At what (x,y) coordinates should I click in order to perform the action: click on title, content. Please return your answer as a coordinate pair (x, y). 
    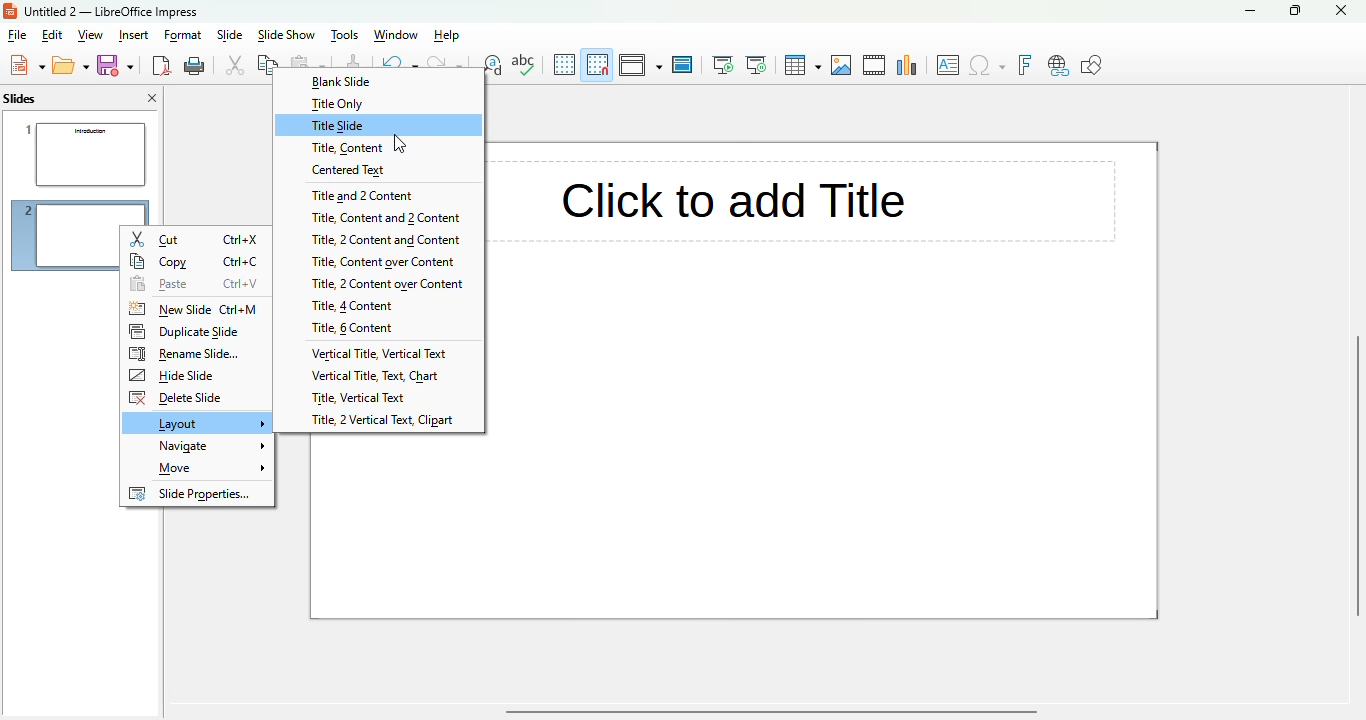
    Looking at the image, I should click on (379, 147).